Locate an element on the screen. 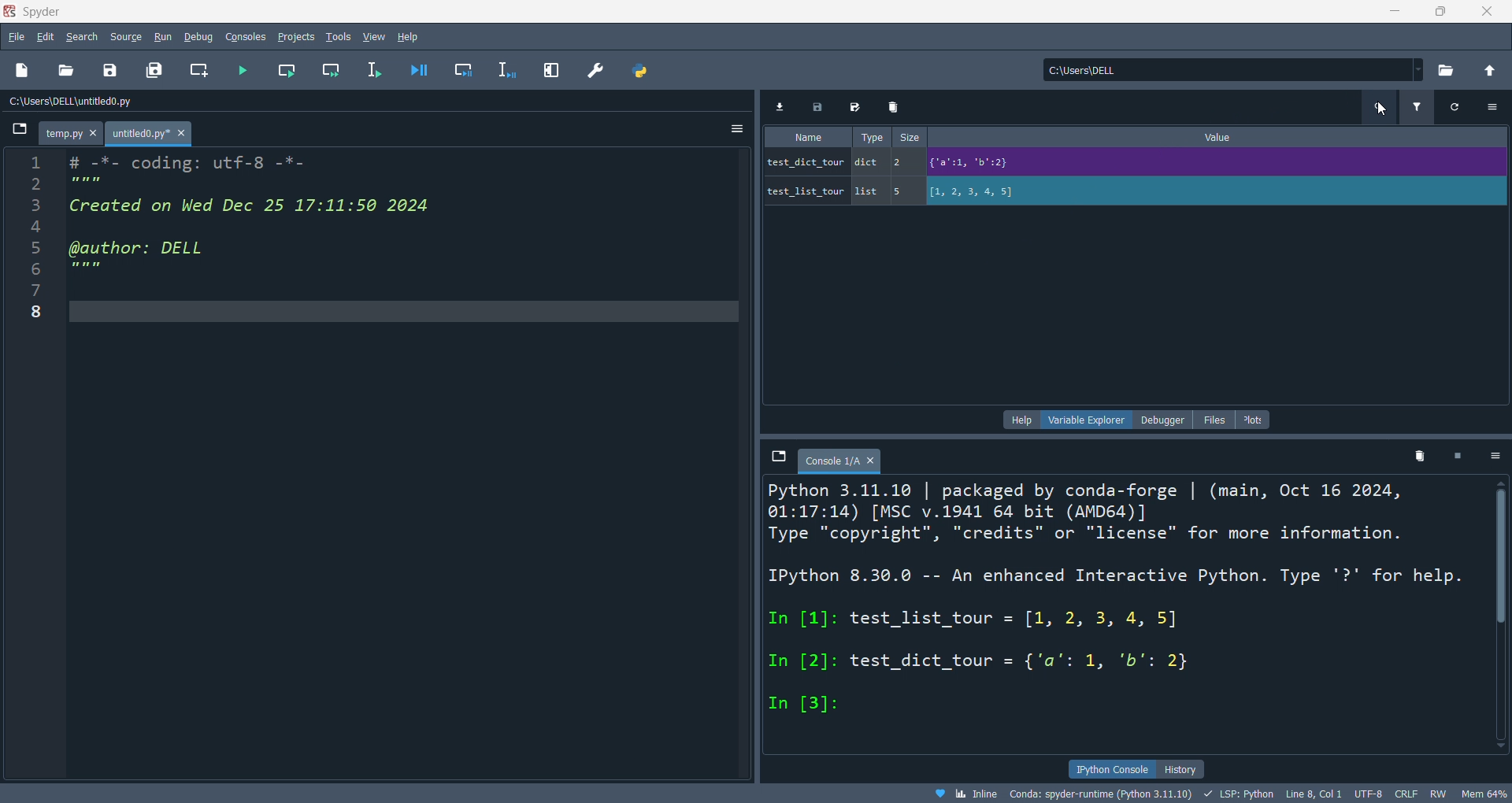  browse tabs is located at coordinates (18, 131).